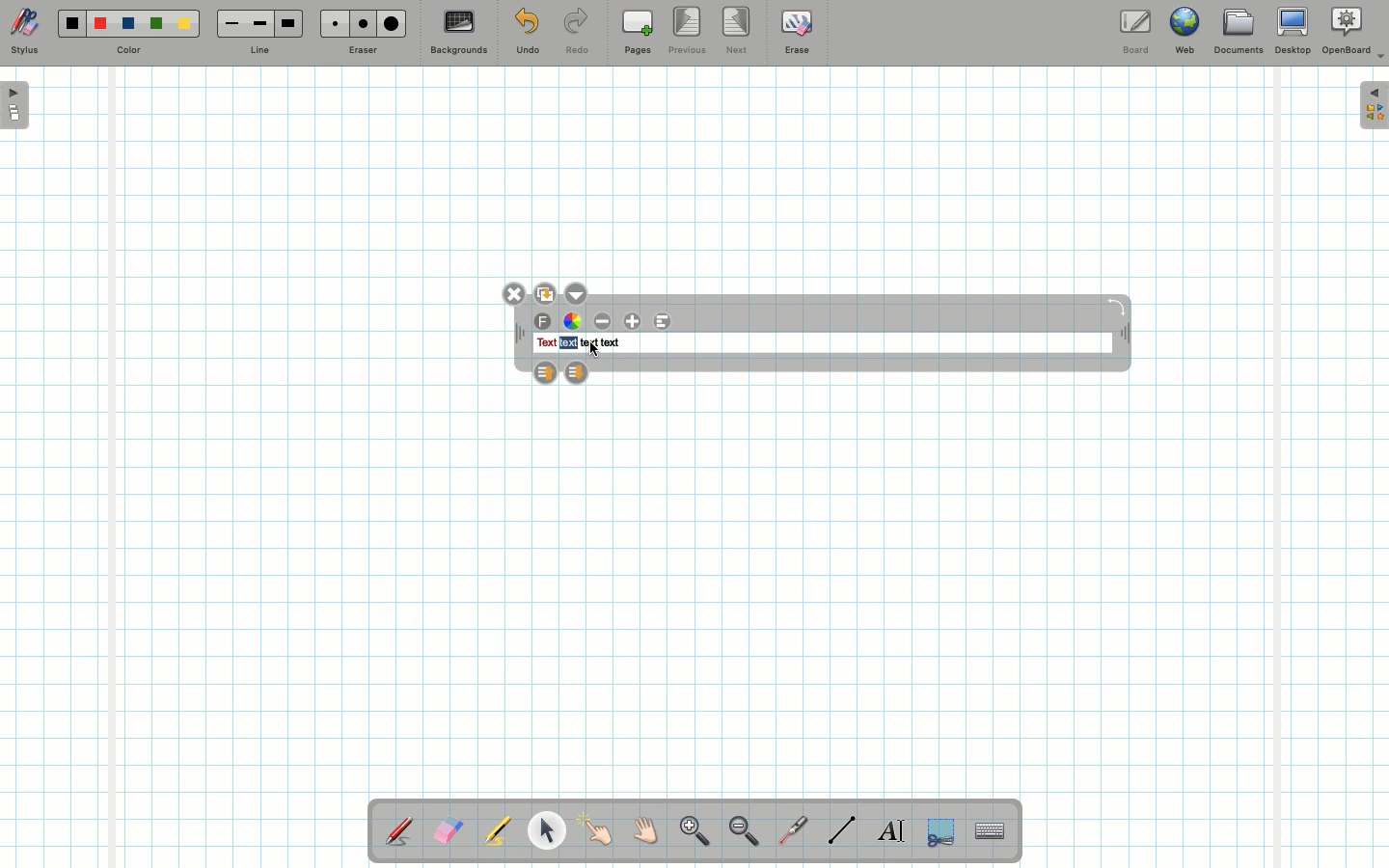 This screenshot has height=868, width=1389. Describe the element at coordinates (577, 35) in the screenshot. I see `Redo` at that location.